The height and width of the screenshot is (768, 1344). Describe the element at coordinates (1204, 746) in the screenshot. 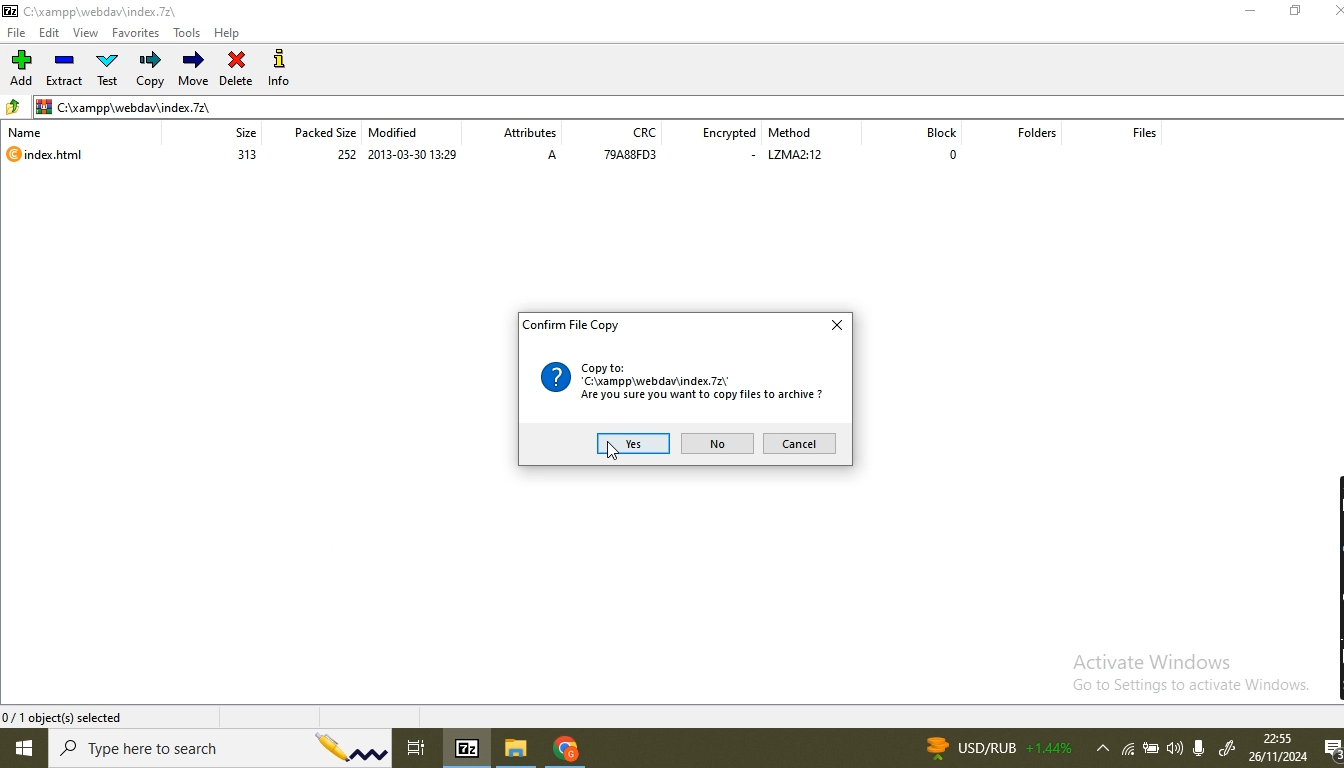

I see `microphone` at that location.